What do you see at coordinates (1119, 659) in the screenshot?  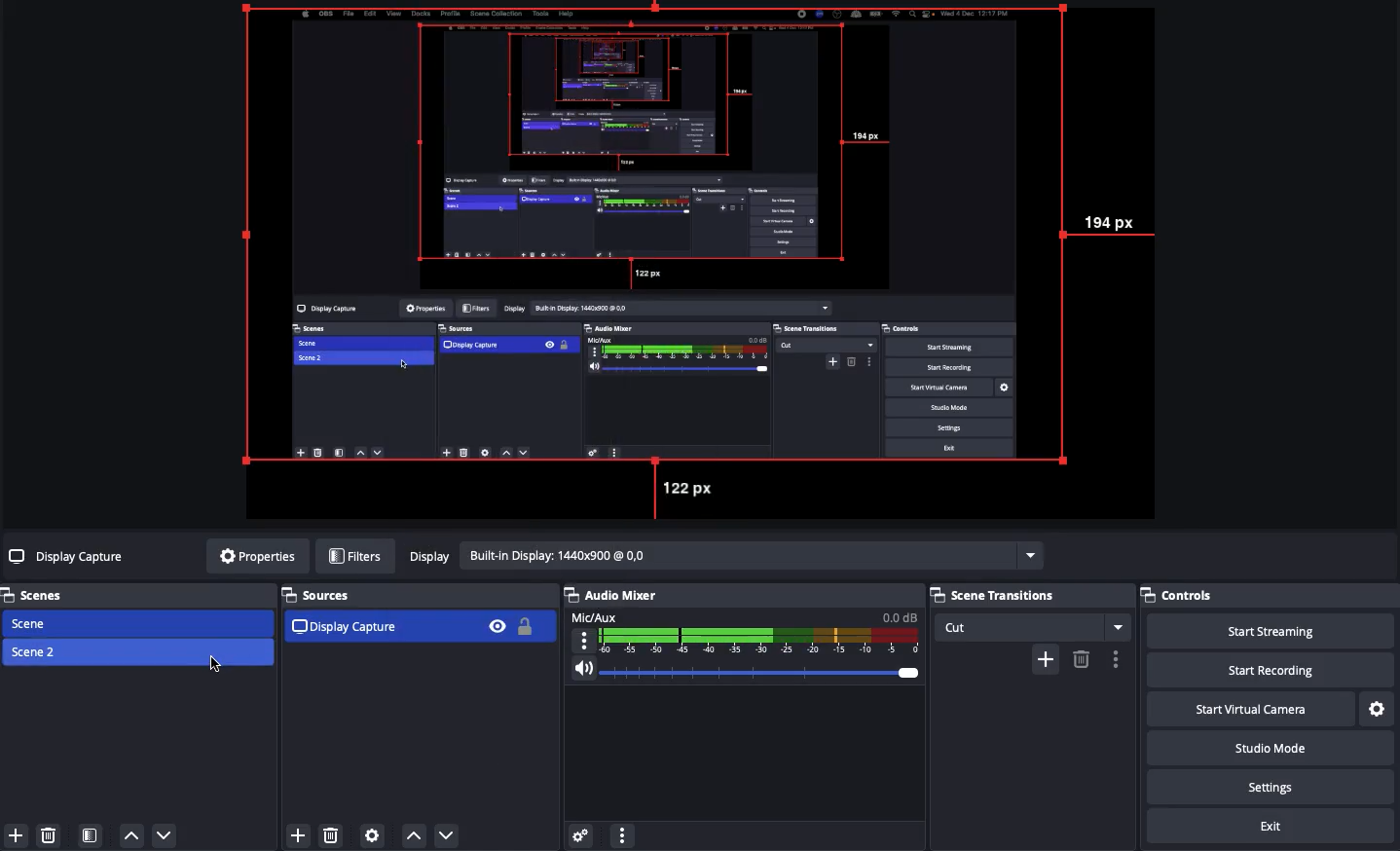 I see `more options` at bounding box center [1119, 659].